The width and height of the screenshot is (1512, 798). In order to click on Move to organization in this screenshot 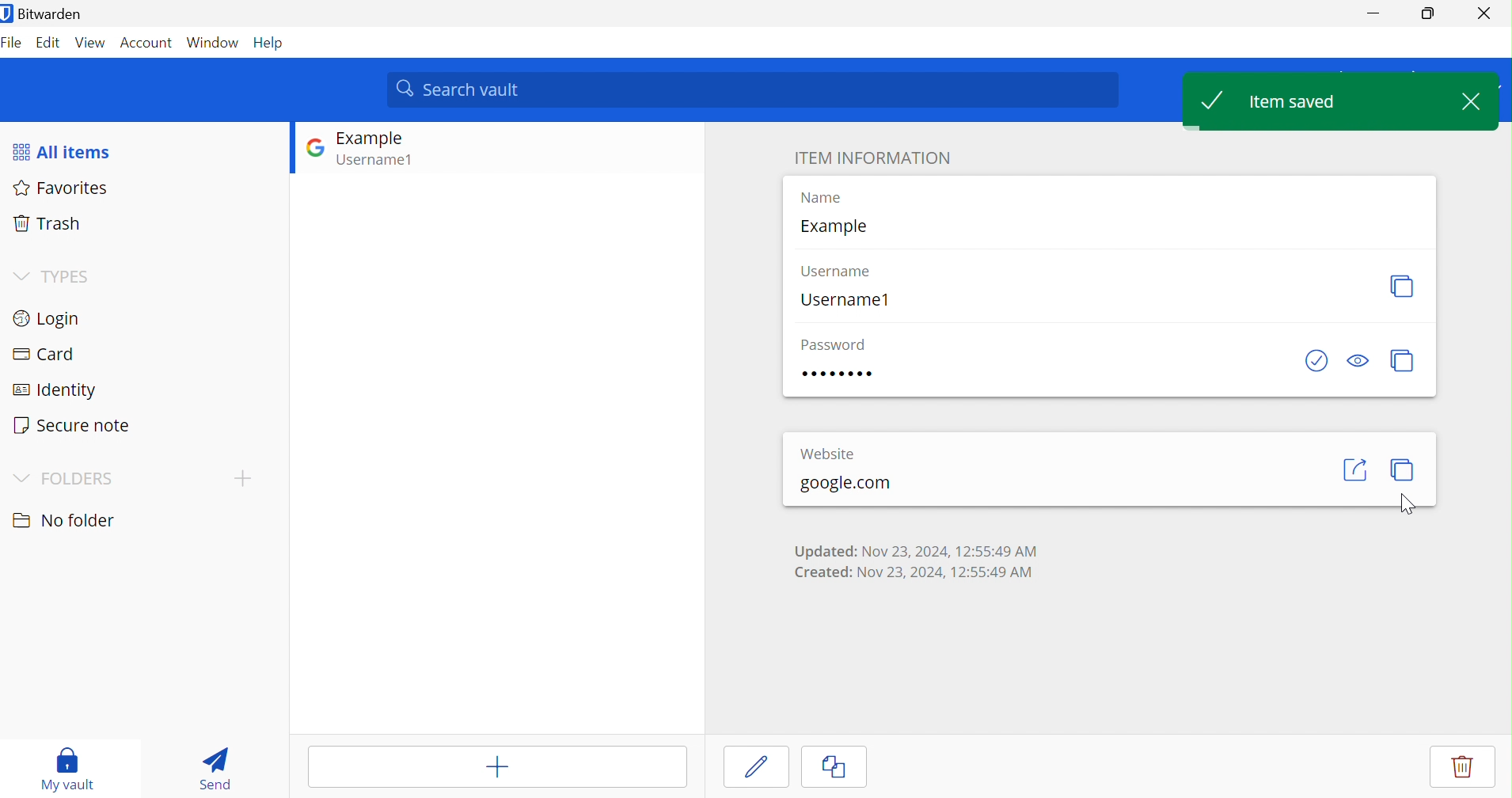, I will do `click(1384, 768)`.